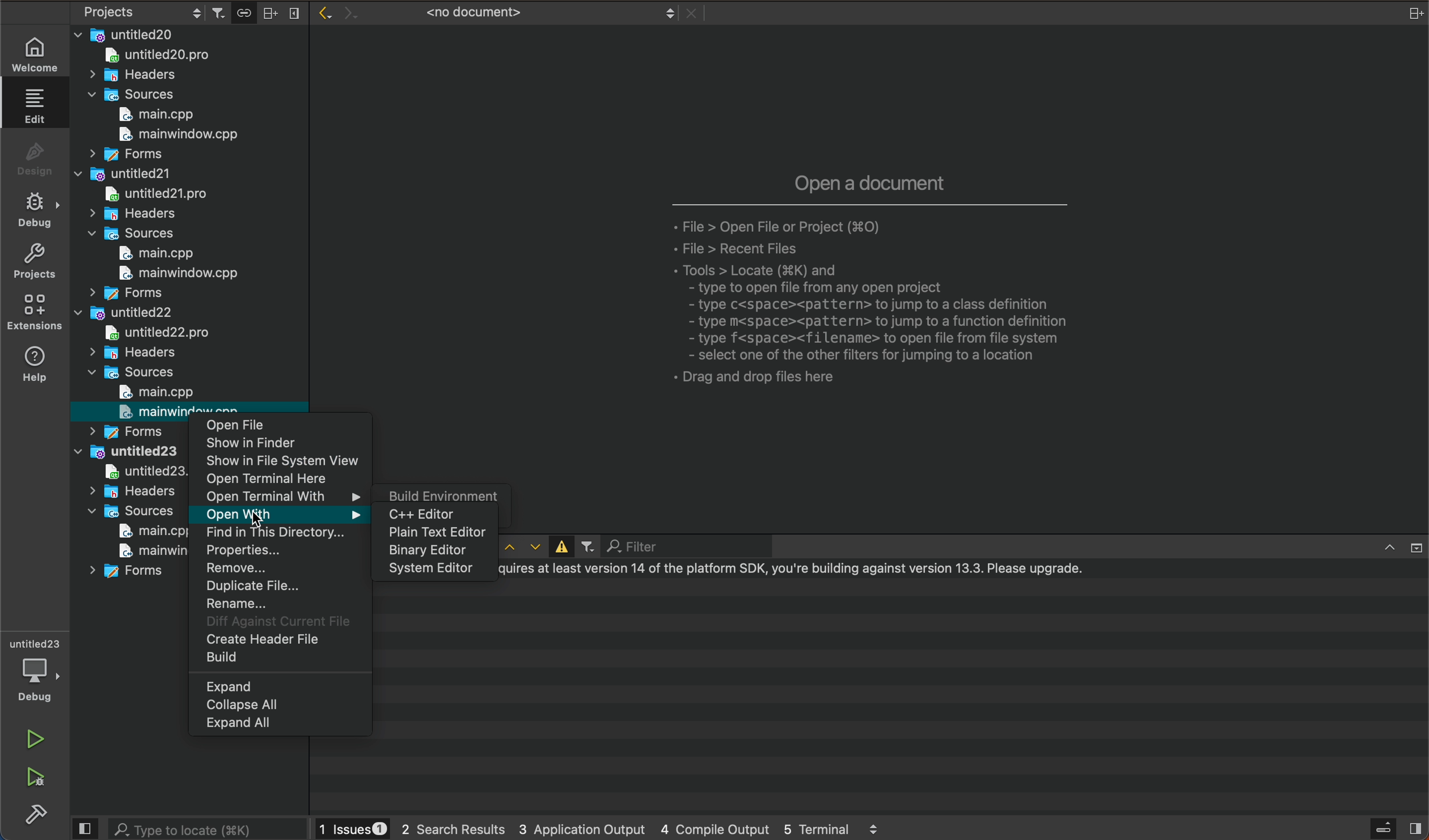  What do you see at coordinates (160, 114) in the screenshot?
I see `main.cpp` at bounding box center [160, 114].